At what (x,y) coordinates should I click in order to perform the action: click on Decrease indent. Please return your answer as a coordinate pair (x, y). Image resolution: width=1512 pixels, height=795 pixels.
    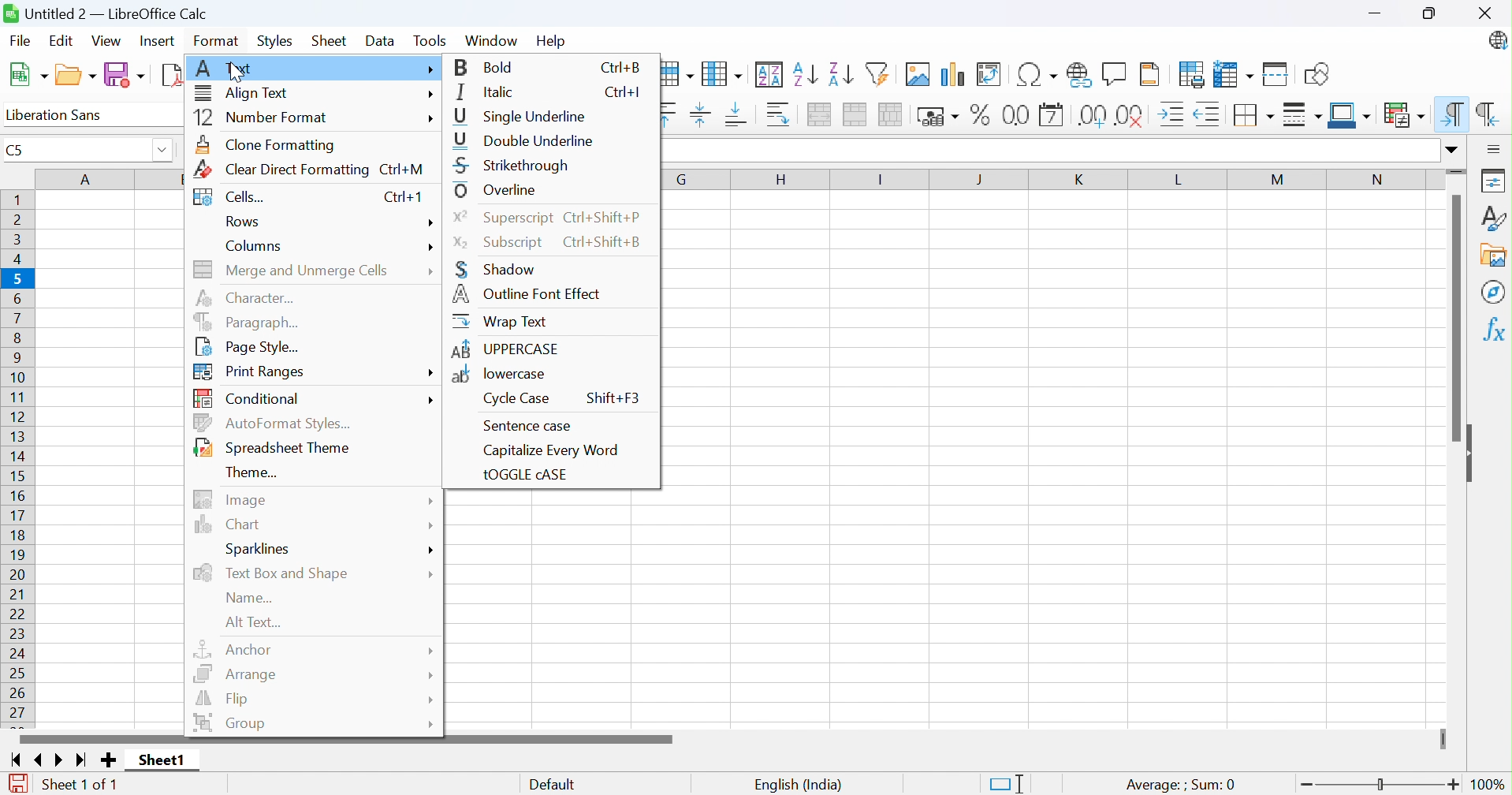
    Looking at the image, I should click on (1210, 114).